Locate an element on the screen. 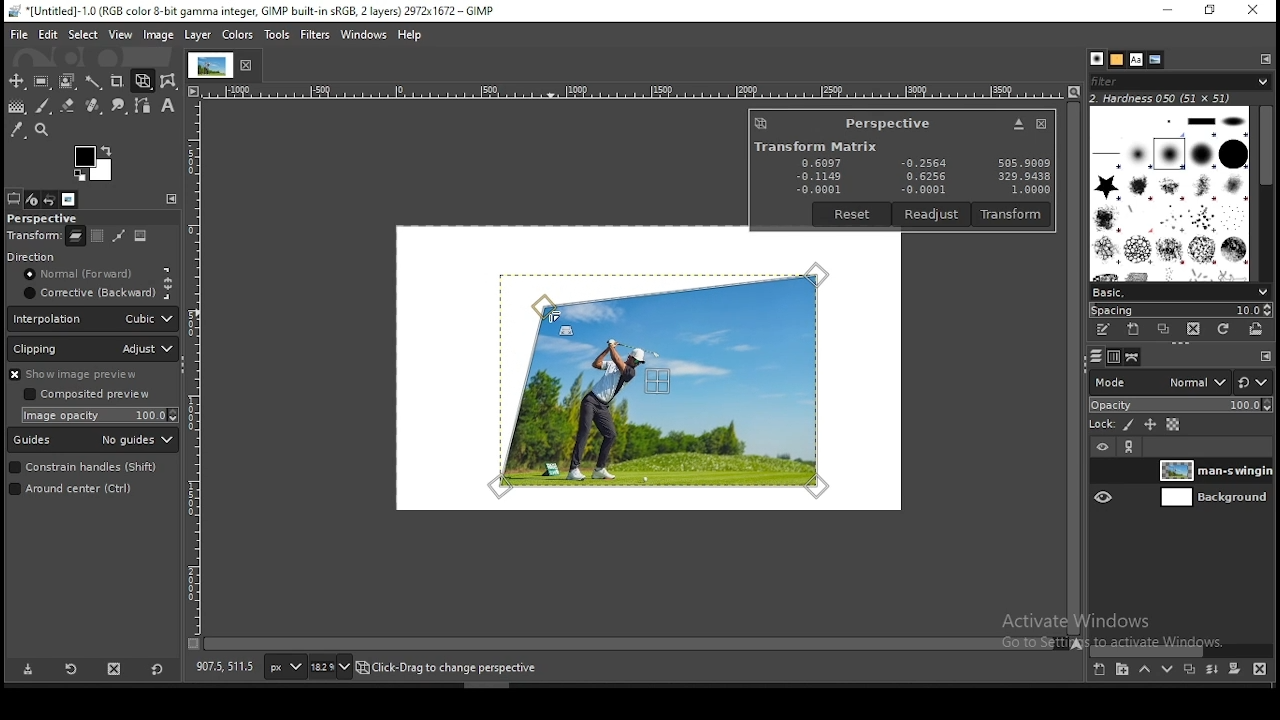 This screenshot has height=720, width=1280. layer  is located at coordinates (1212, 470).